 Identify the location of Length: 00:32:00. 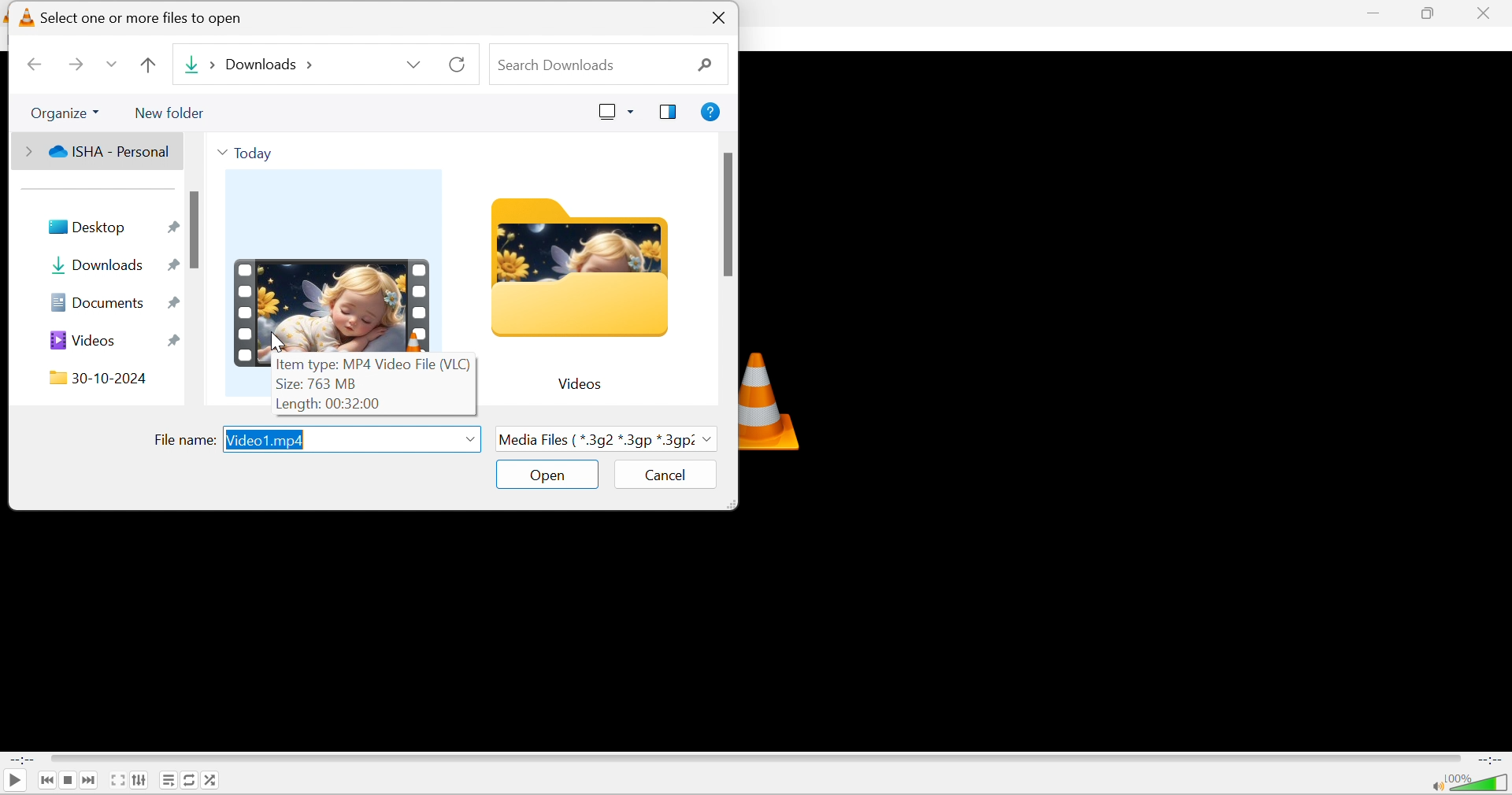
(328, 405).